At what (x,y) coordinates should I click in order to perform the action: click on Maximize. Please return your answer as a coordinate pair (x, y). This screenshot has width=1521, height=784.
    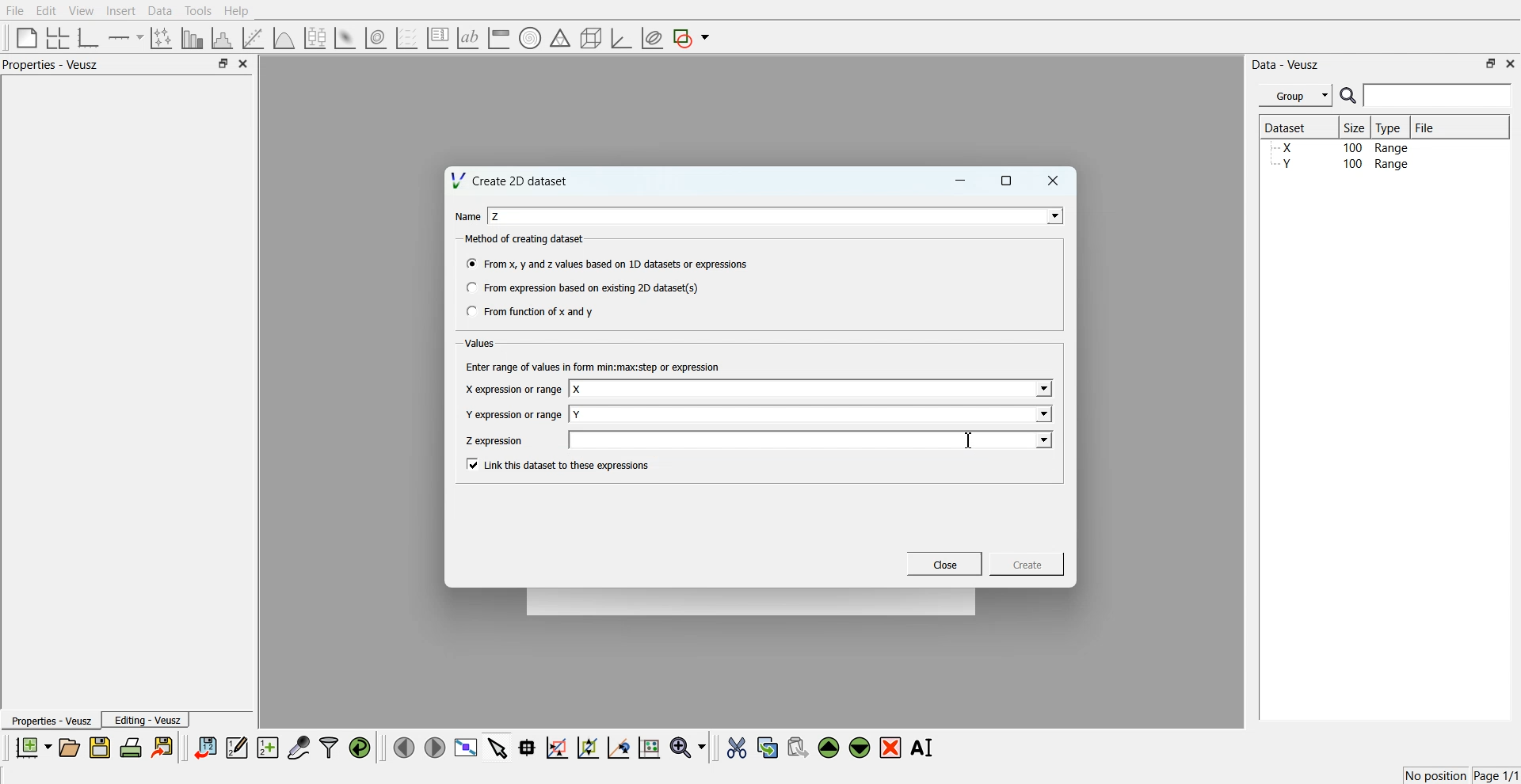
    Looking at the image, I should click on (223, 63).